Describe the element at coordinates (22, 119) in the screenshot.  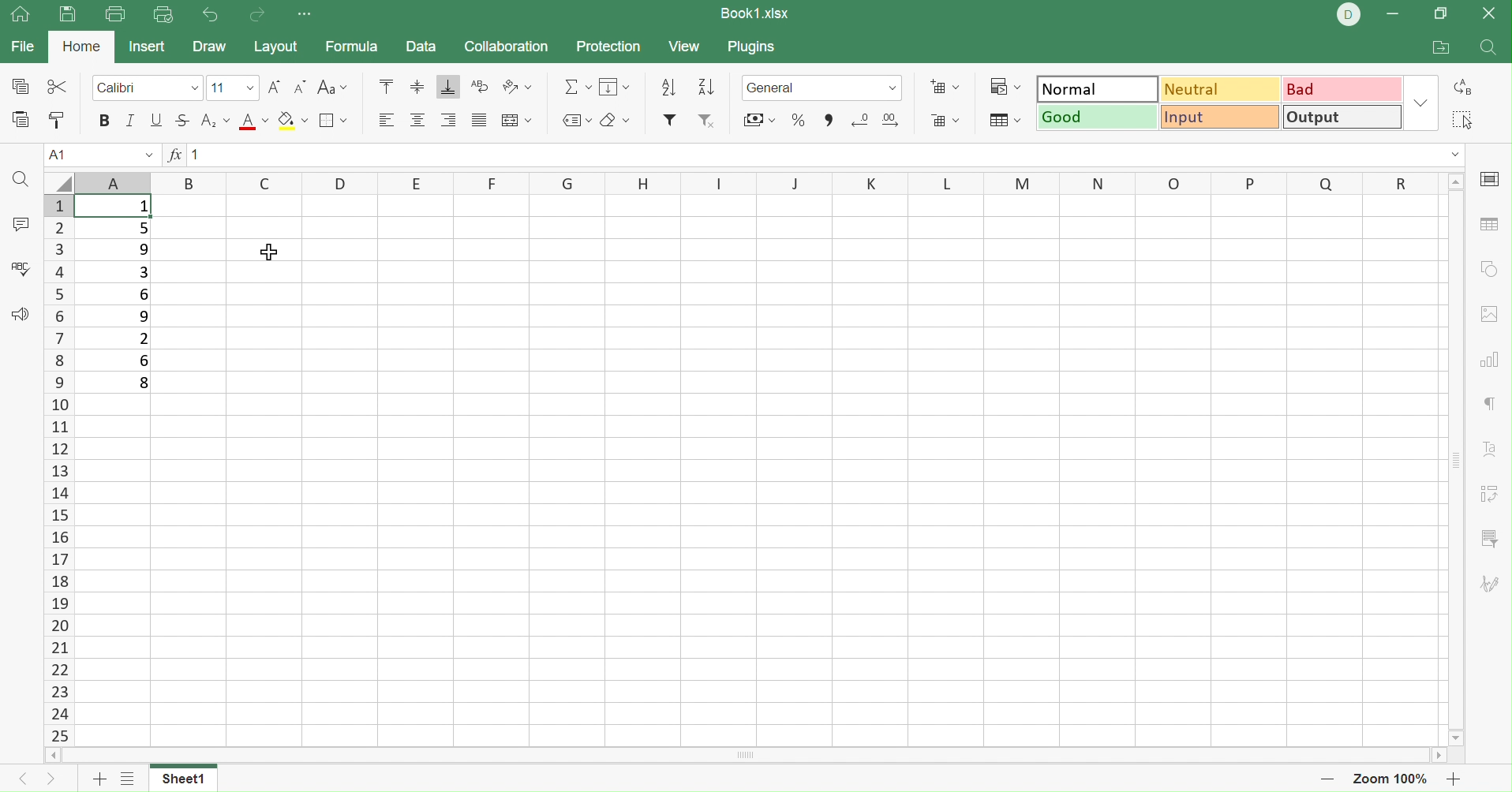
I see `Paste` at that location.